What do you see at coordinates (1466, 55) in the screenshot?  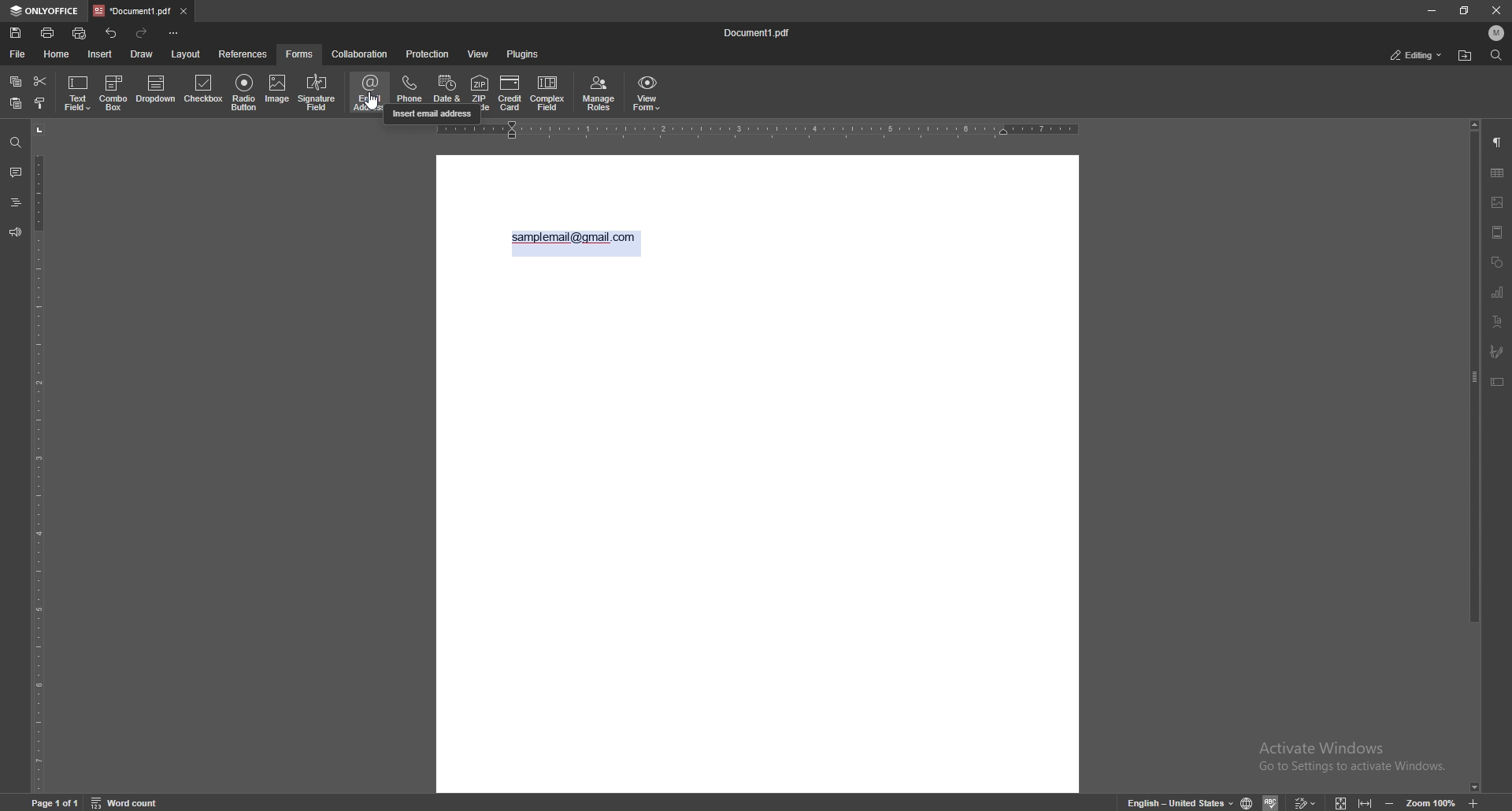 I see `find location` at bounding box center [1466, 55].